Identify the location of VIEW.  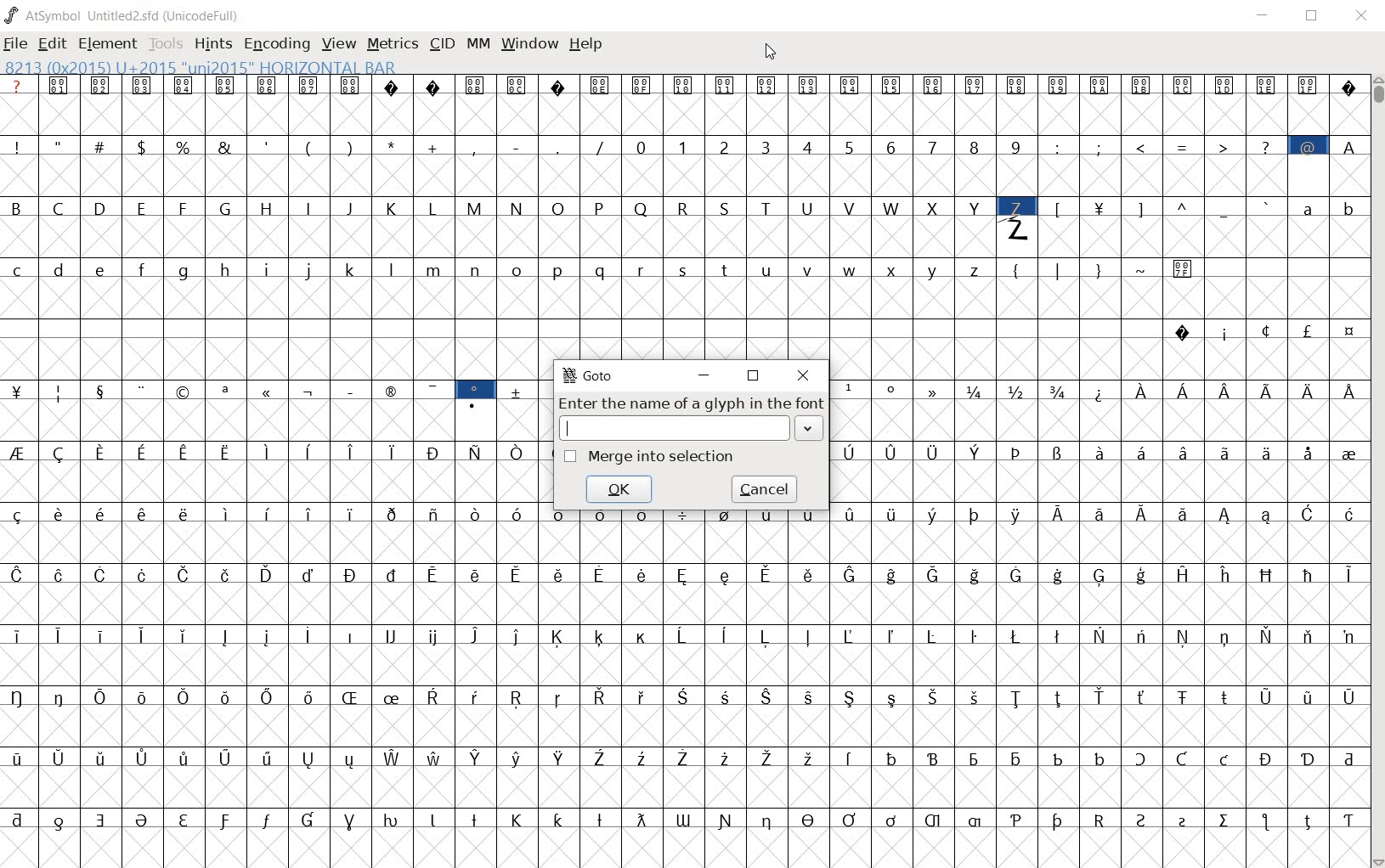
(339, 45).